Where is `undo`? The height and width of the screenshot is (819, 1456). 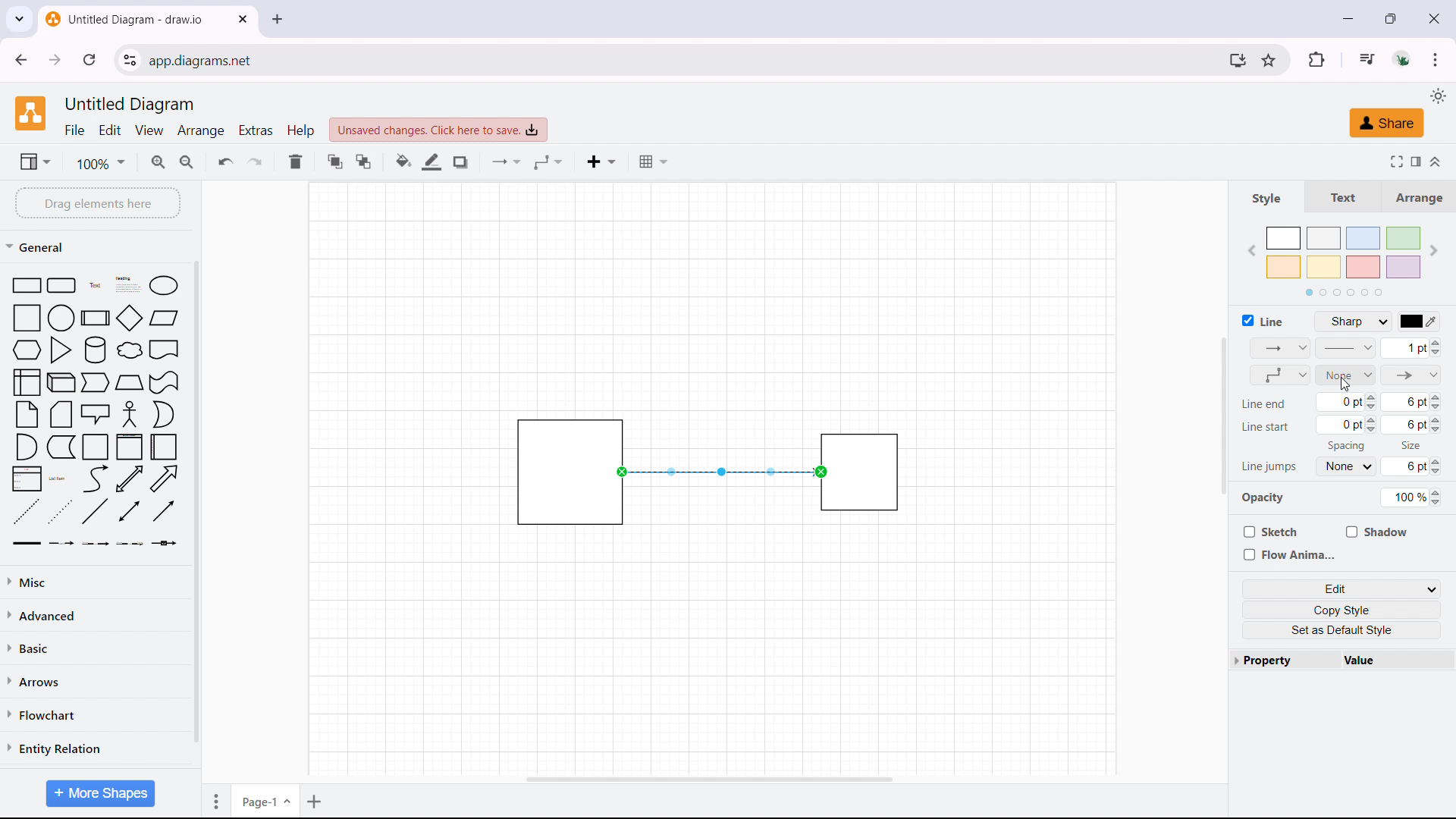 undo is located at coordinates (226, 161).